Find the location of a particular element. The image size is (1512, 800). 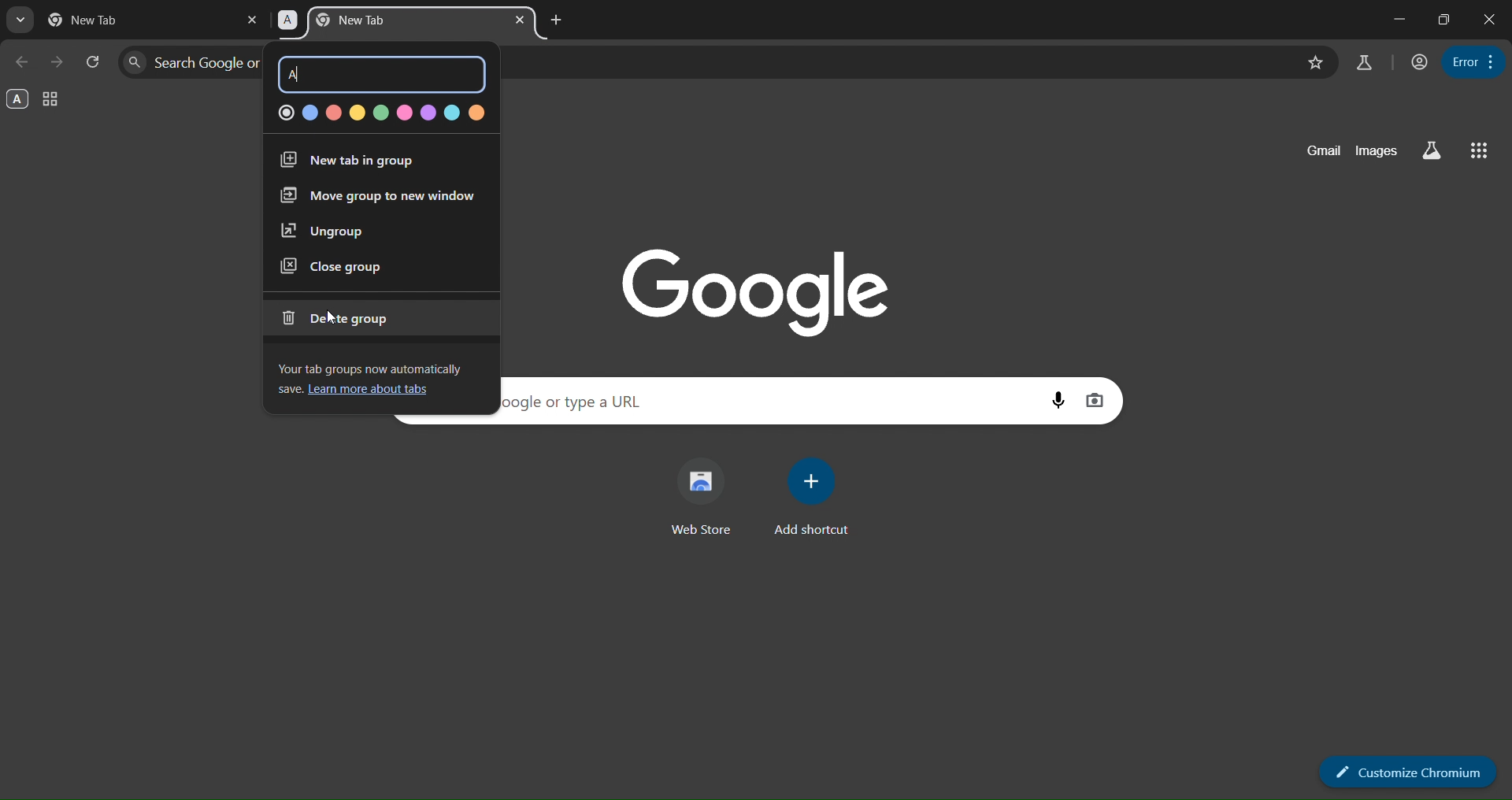

move group to new window is located at coordinates (374, 198).